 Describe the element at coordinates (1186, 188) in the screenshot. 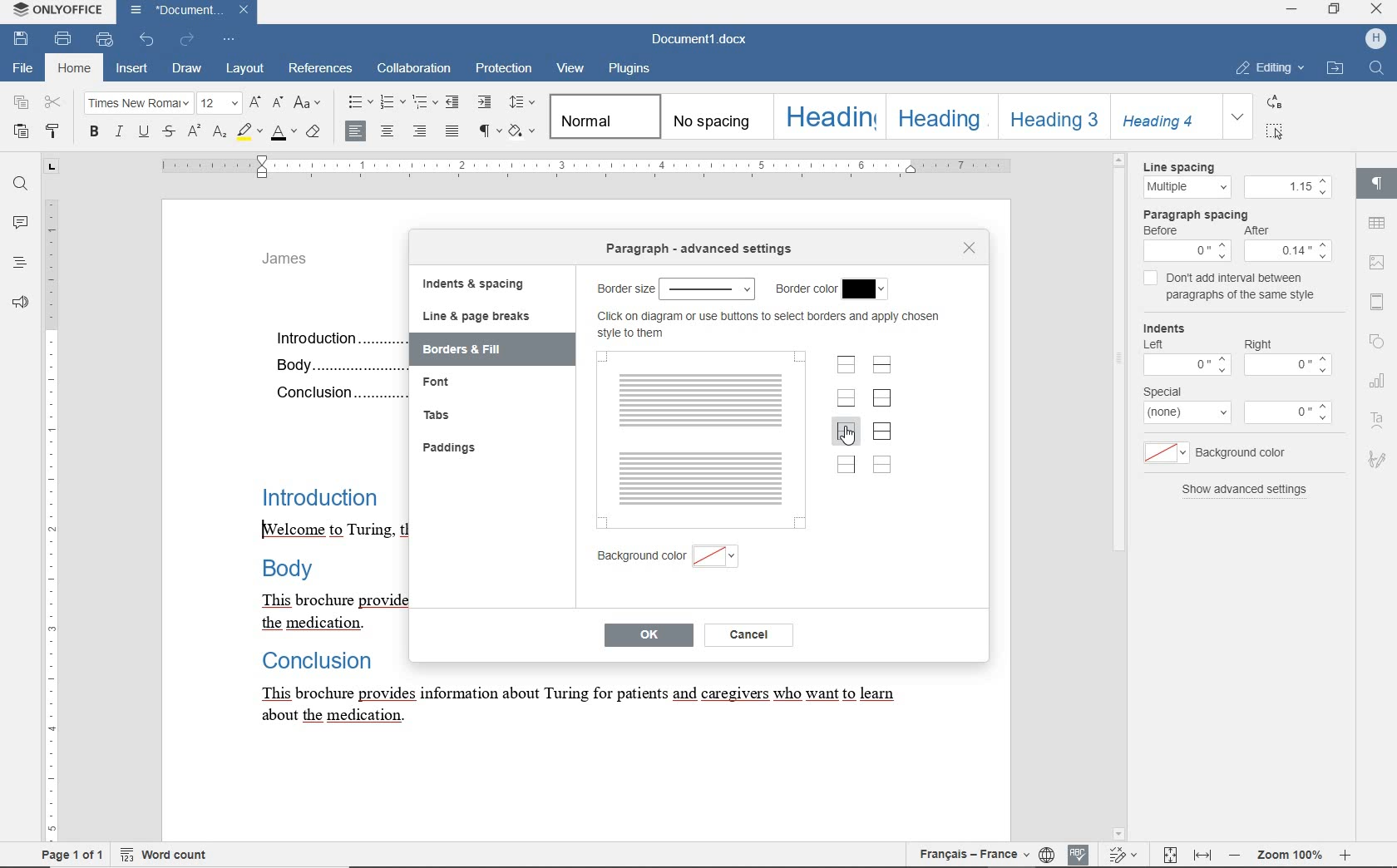

I see `Multiple` at that location.